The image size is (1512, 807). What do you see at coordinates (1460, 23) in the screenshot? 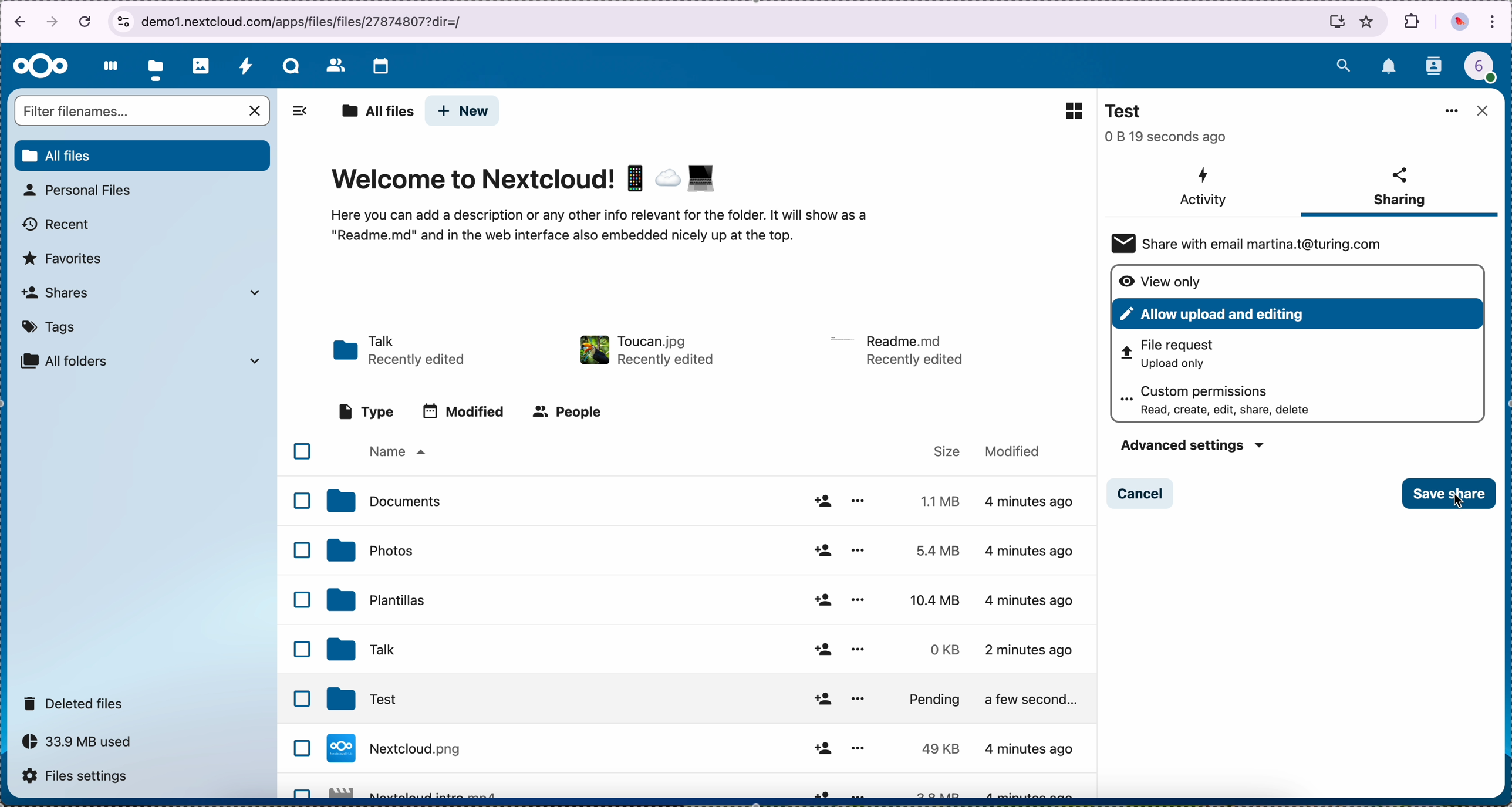
I see `profile picture` at bounding box center [1460, 23].